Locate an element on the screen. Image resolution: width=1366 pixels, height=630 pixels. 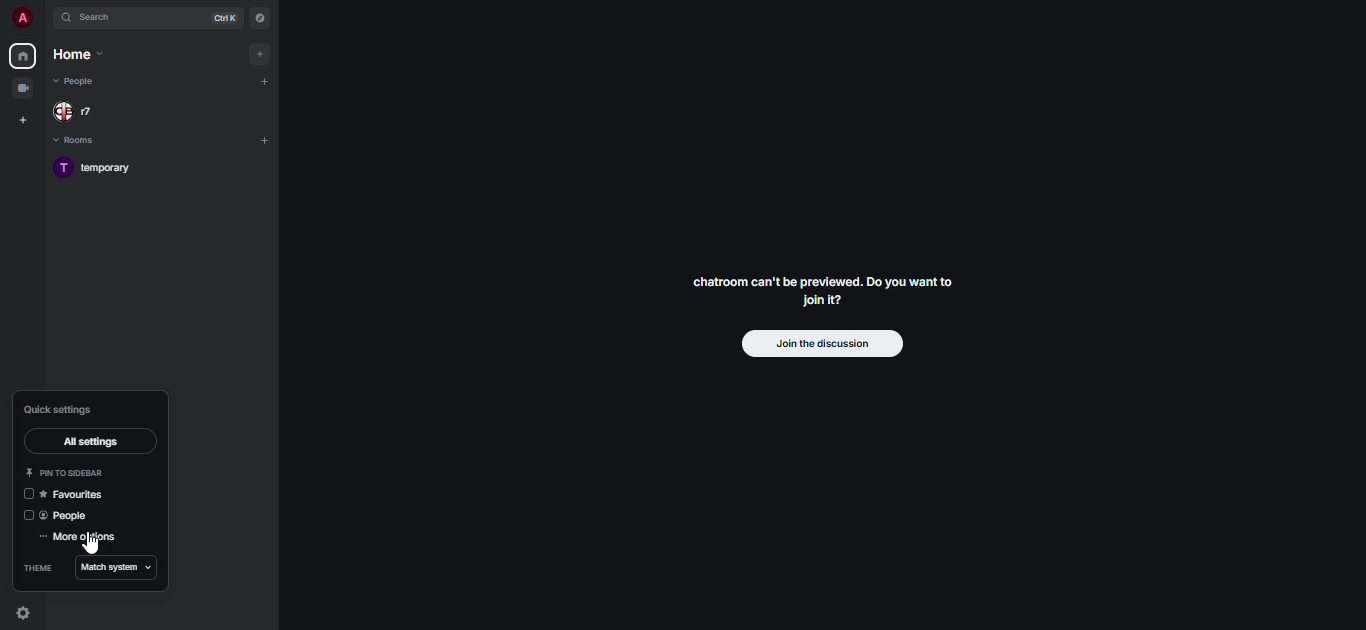
match system is located at coordinates (114, 569).